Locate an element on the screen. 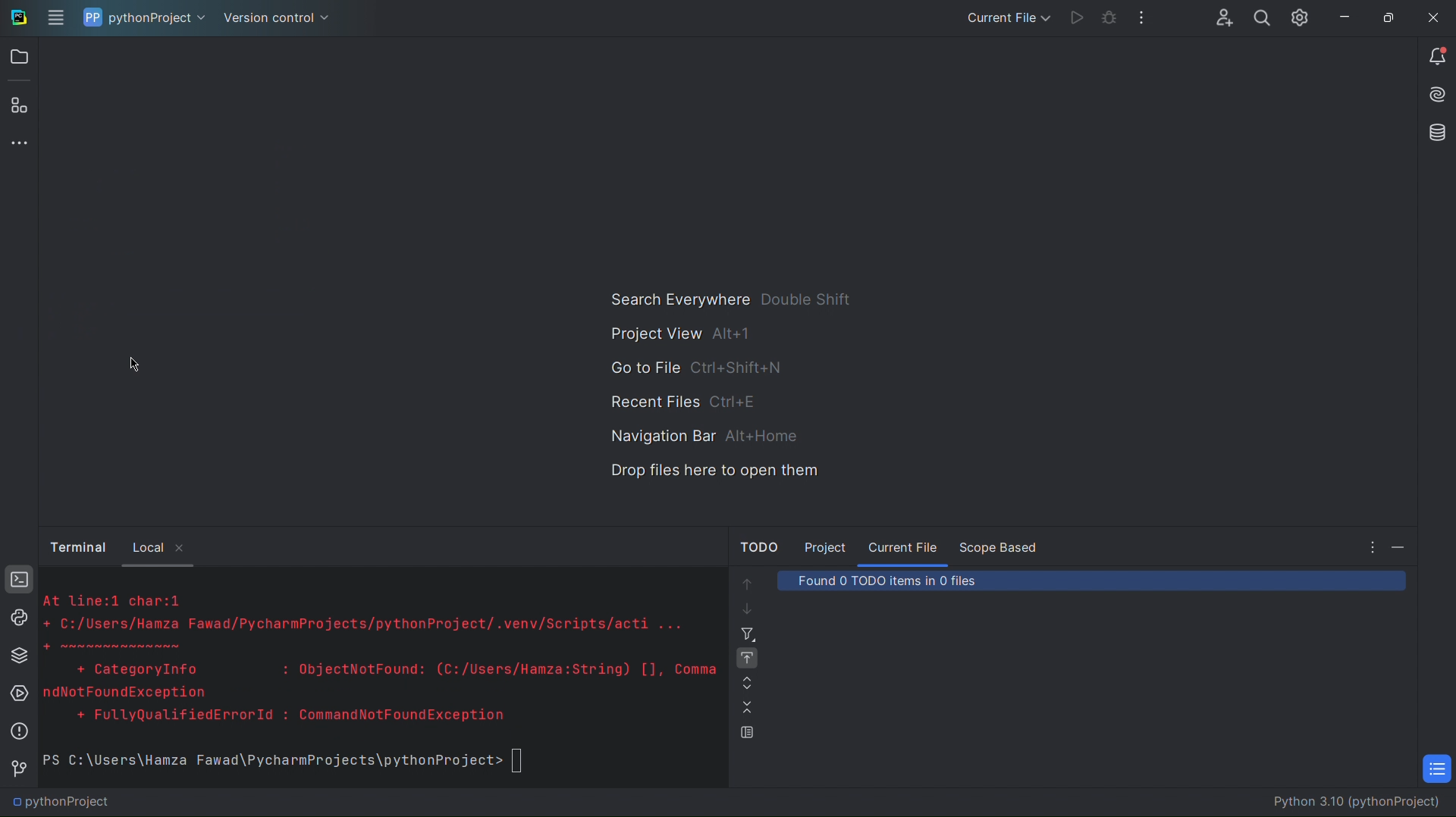 Image resolution: width=1456 pixels, height=817 pixels. Search Everywhere double shift is located at coordinates (726, 299).